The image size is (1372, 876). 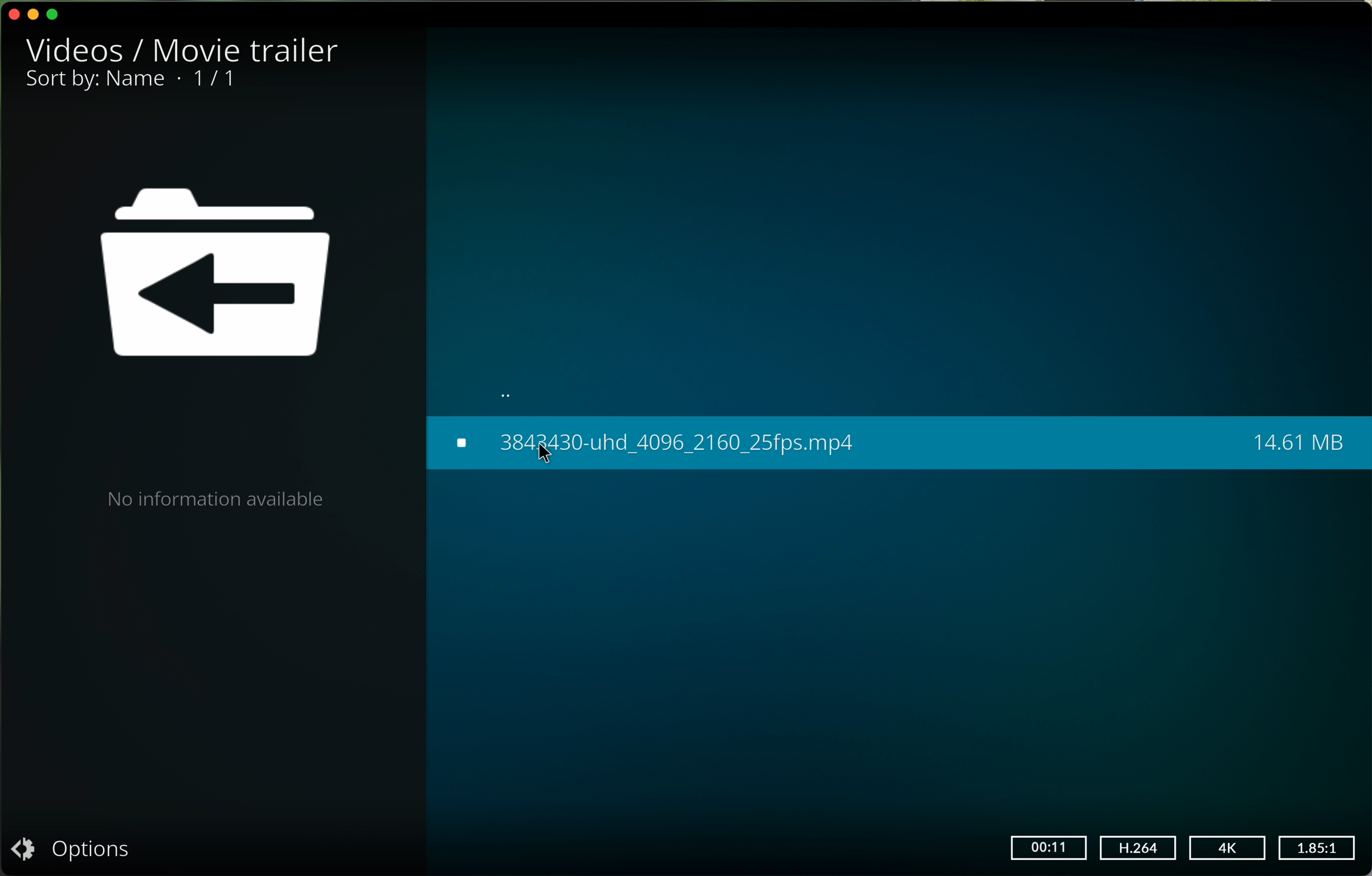 I want to click on 00:11, so click(x=1050, y=848).